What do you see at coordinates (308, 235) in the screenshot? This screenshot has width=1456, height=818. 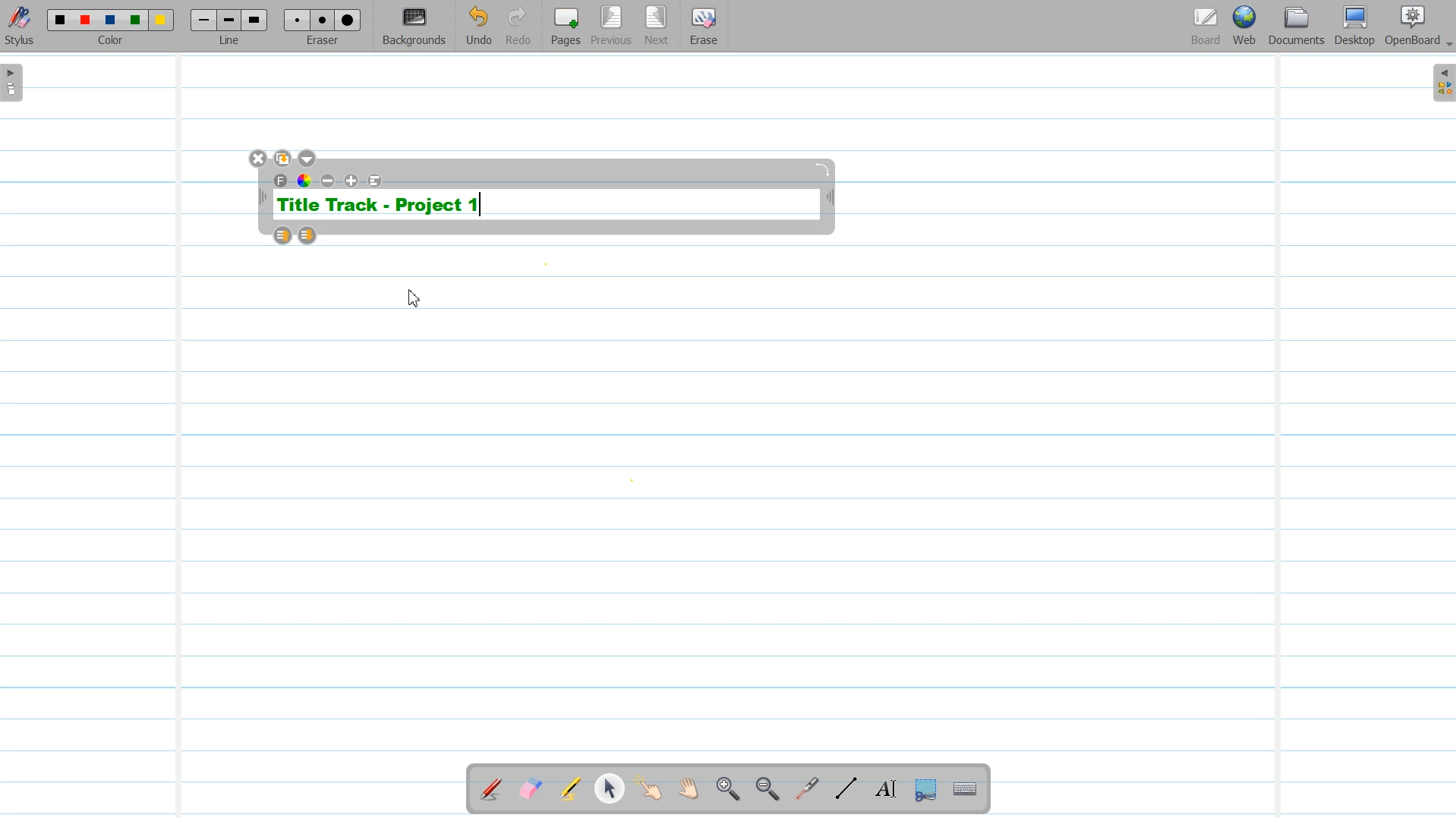 I see `Layer Down` at bounding box center [308, 235].